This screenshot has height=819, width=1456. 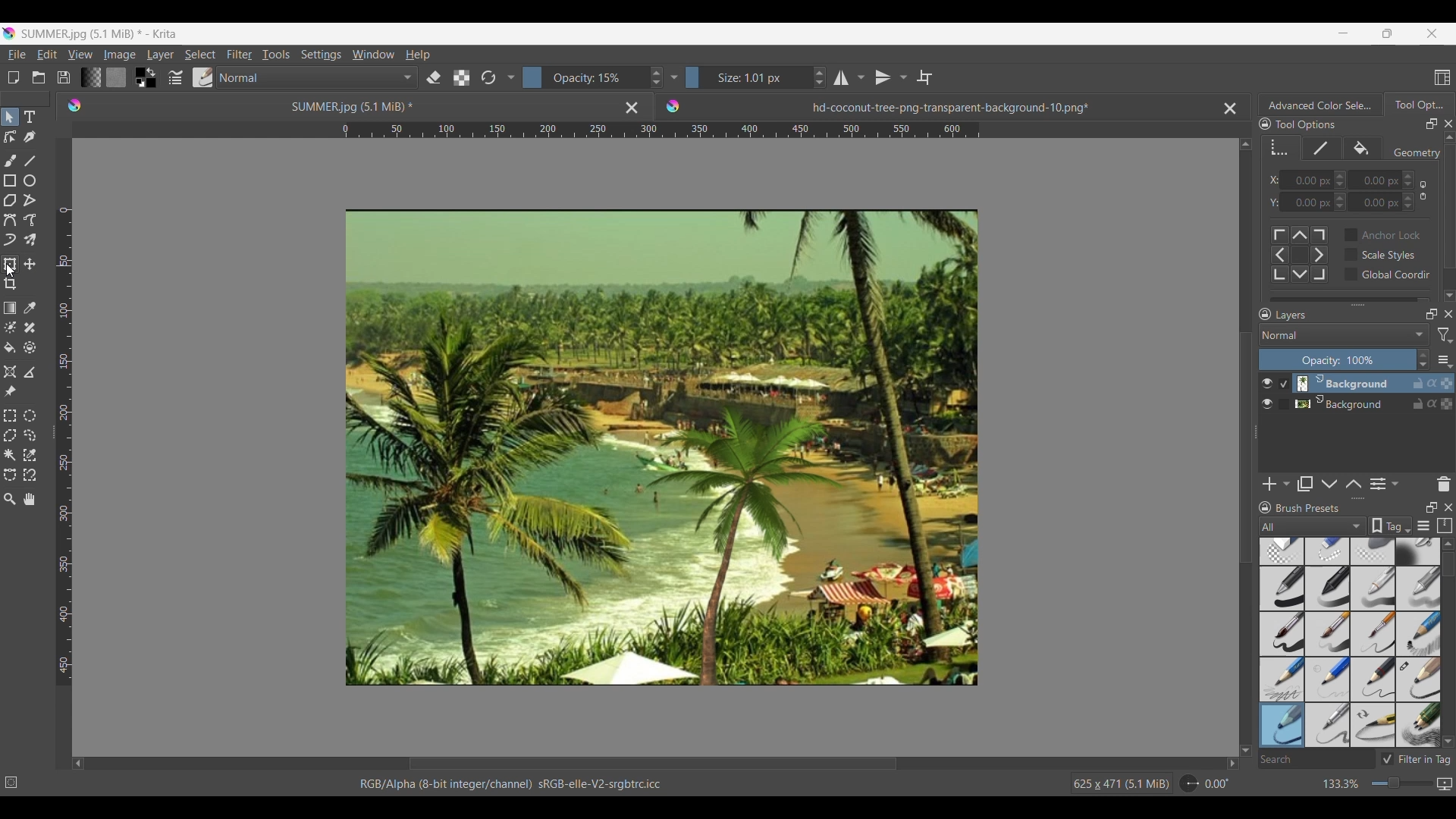 I want to click on Filter layers, so click(x=1445, y=335).